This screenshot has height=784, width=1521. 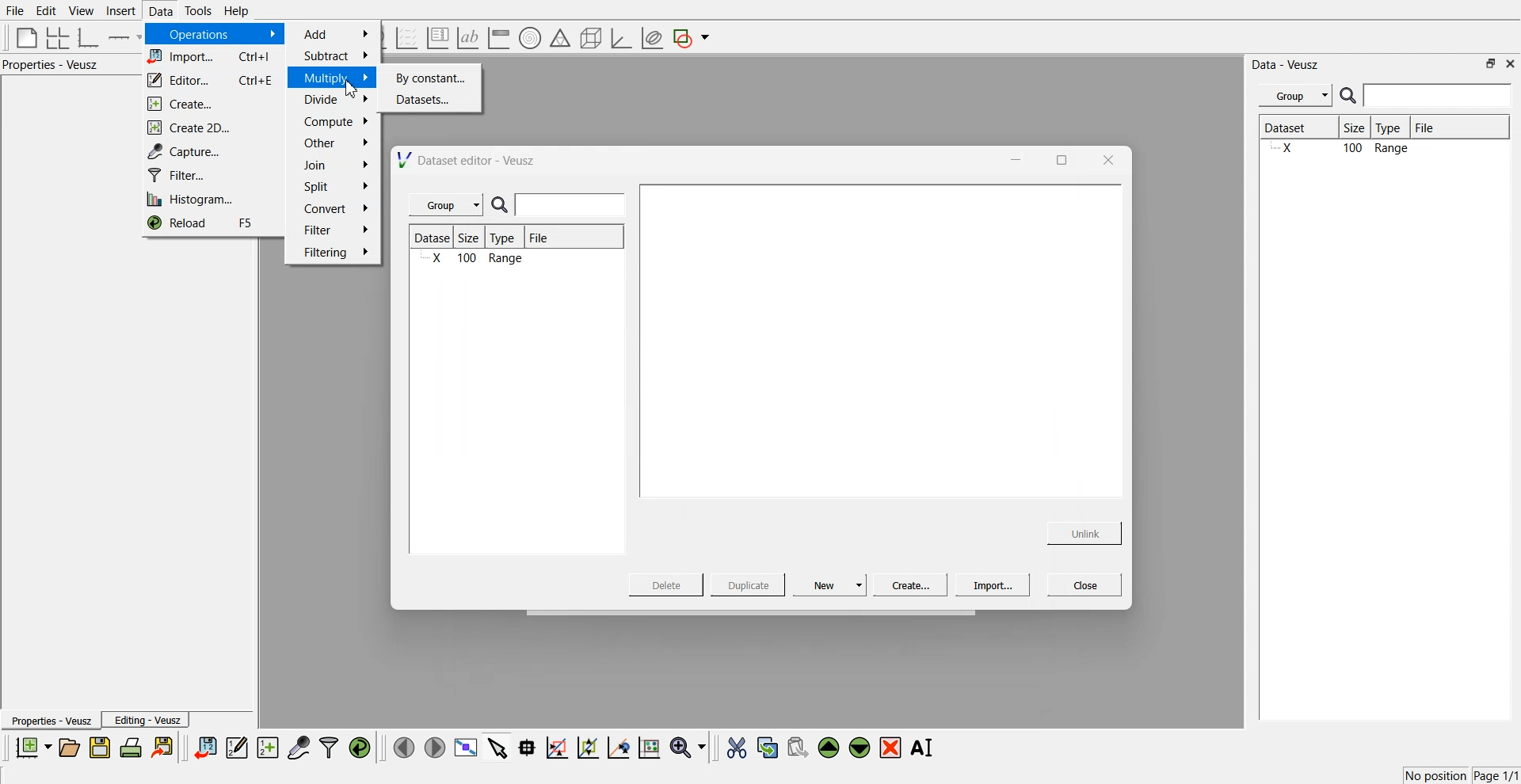 I want to click on Subtract, so click(x=335, y=55).